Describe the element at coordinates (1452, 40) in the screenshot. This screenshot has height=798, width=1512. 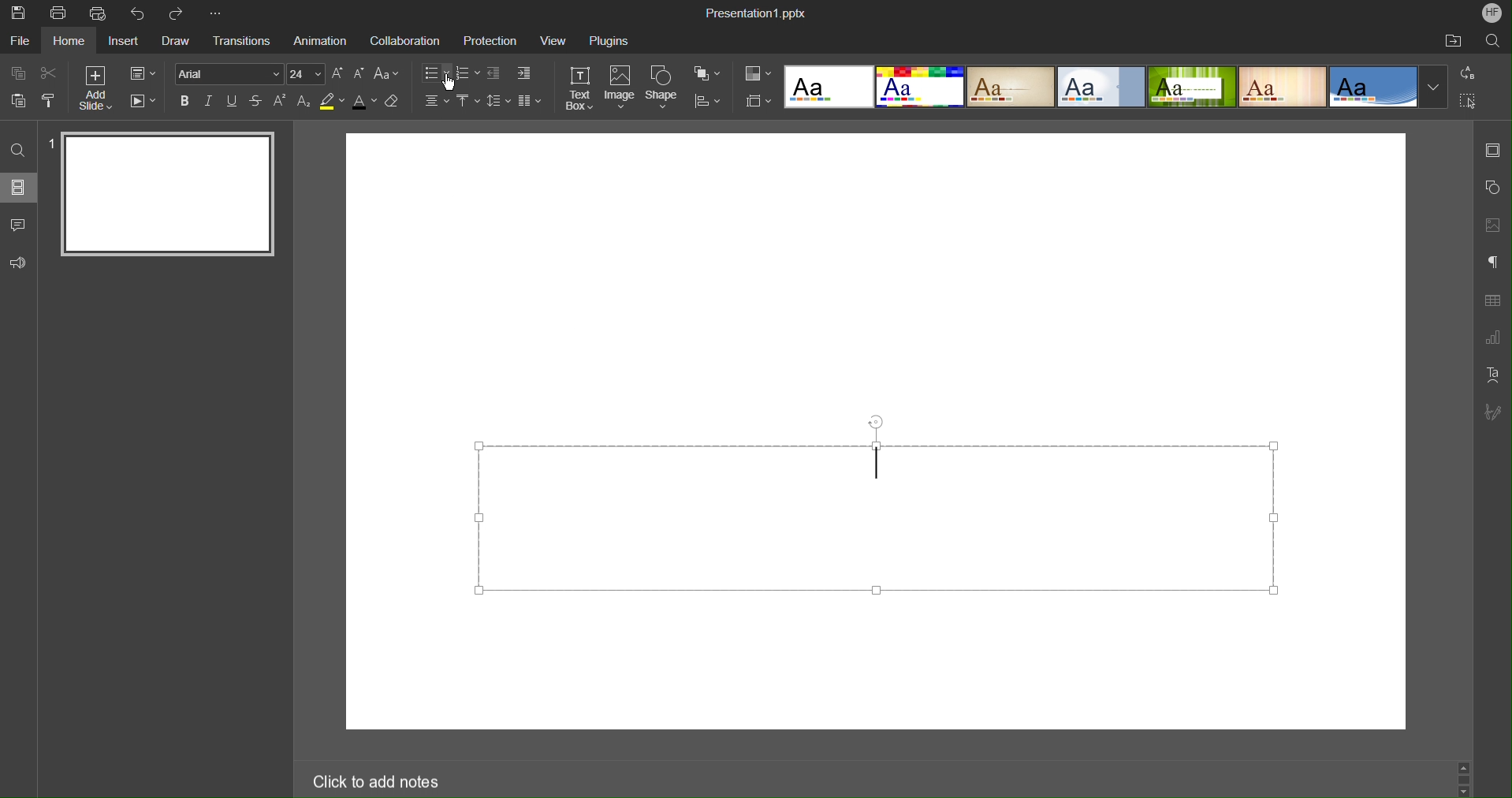
I see `Open File Location` at that location.